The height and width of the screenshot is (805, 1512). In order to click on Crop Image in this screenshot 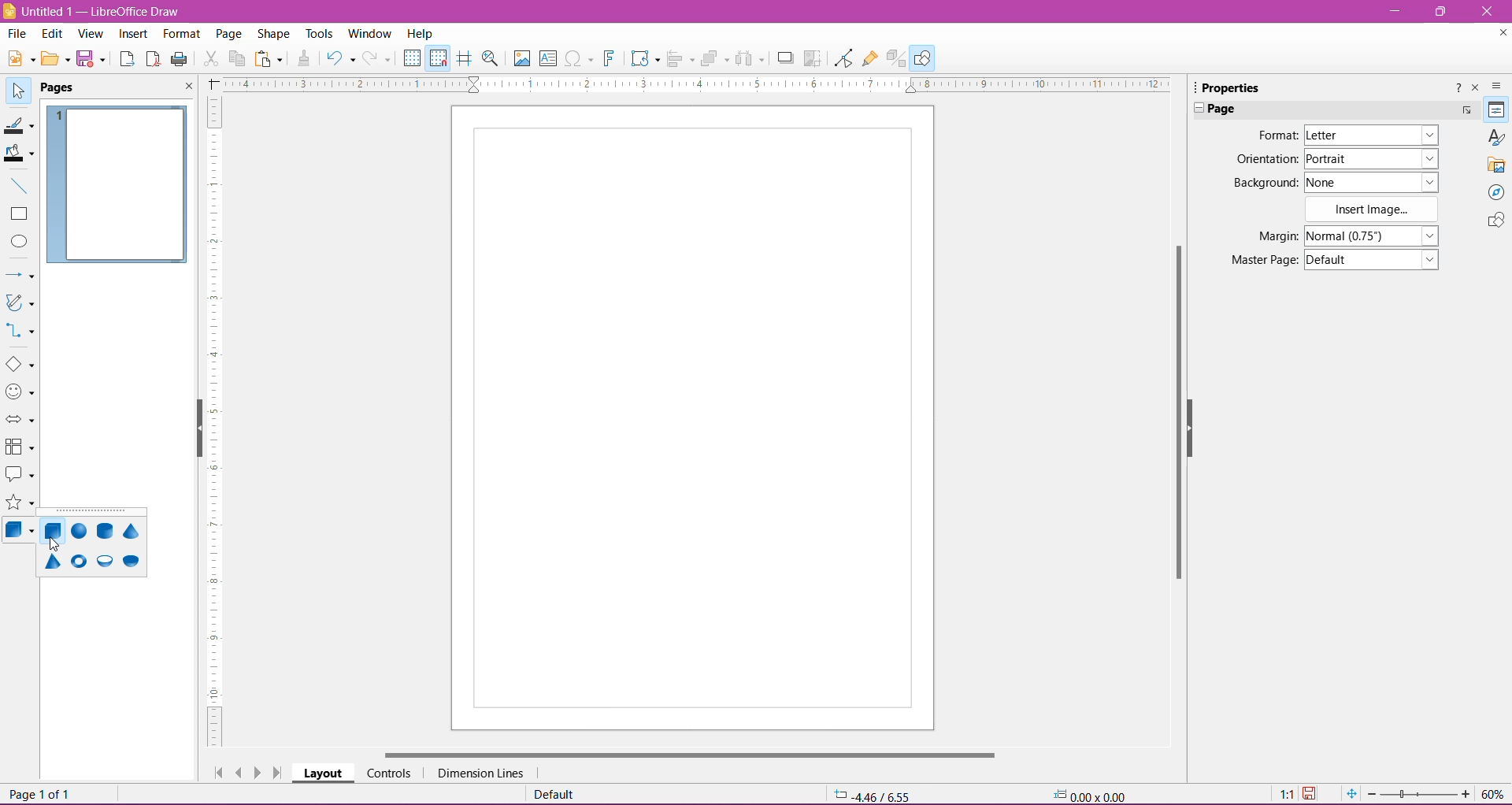, I will do `click(813, 58)`.